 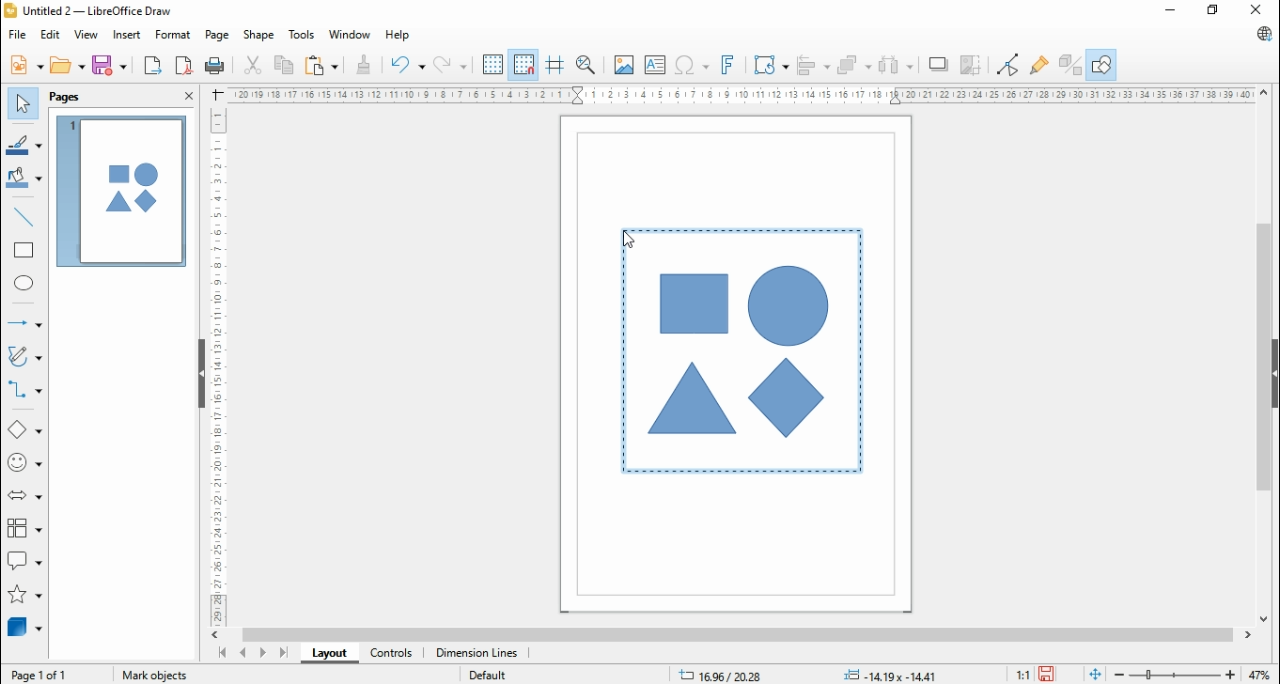 What do you see at coordinates (744, 94) in the screenshot?
I see `horizontal scale` at bounding box center [744, 94].